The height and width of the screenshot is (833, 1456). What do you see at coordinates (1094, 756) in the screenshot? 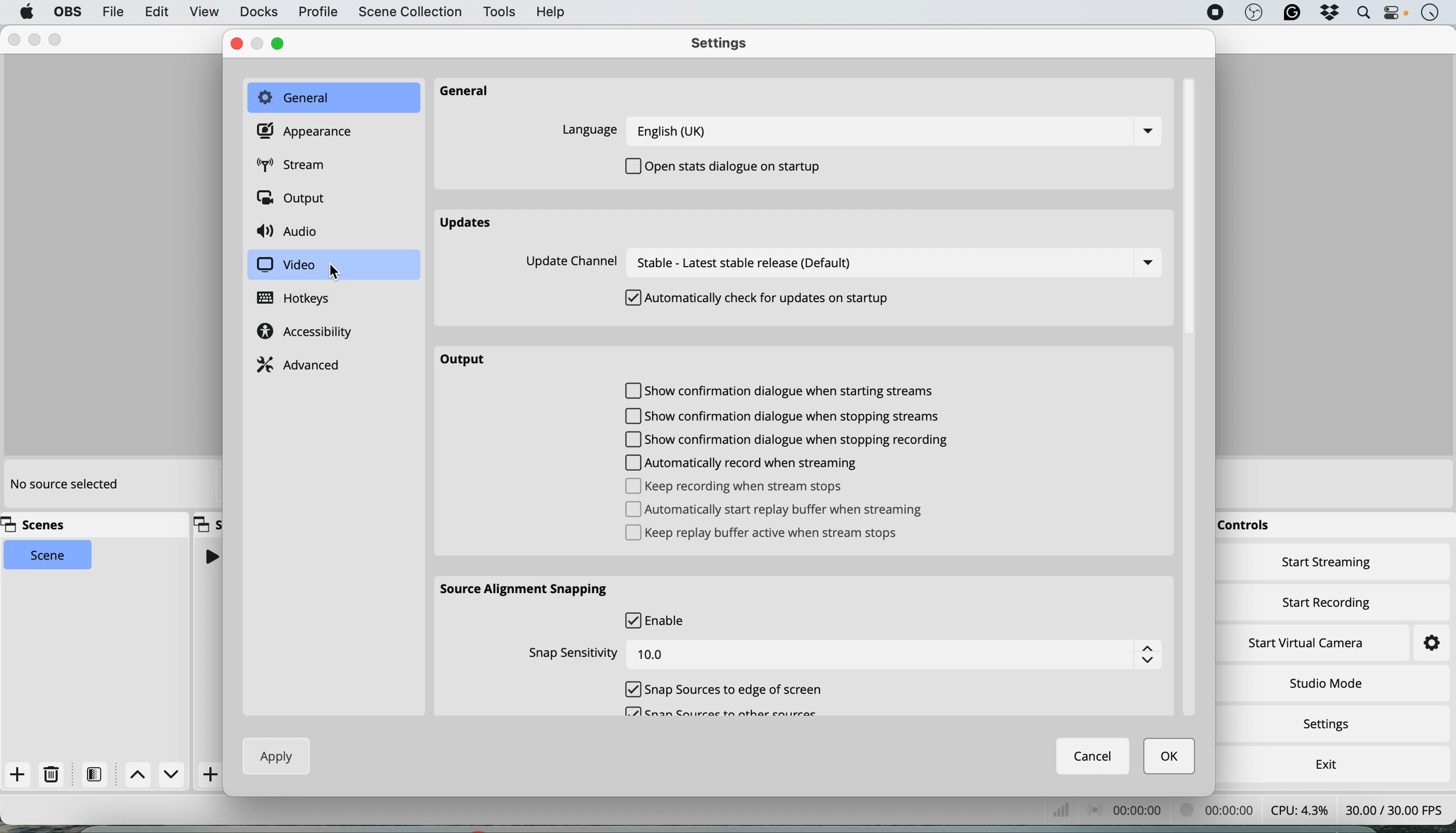
I see `cancel` at bounding box center [1094, 756].